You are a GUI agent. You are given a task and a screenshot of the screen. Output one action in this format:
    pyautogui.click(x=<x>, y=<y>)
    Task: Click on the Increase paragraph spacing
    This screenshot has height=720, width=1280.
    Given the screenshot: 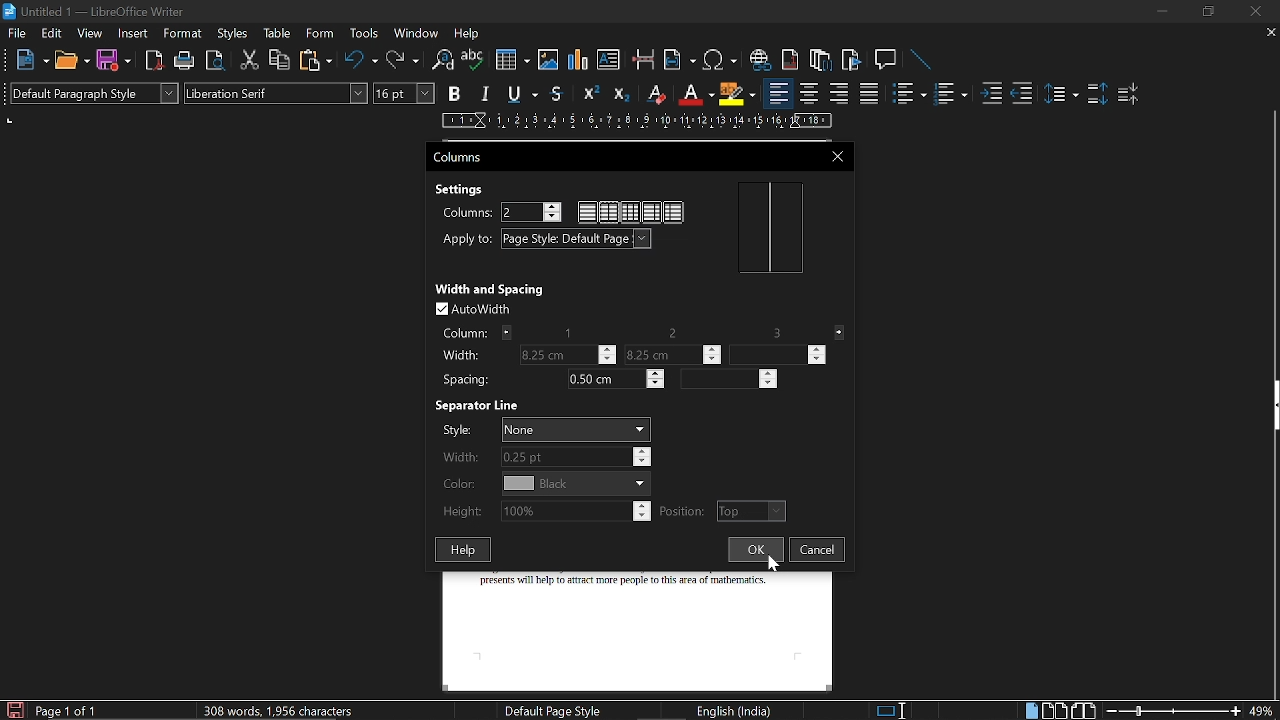 What is the action you would take?
    pyautogui.click(x=1096, y=93)
    